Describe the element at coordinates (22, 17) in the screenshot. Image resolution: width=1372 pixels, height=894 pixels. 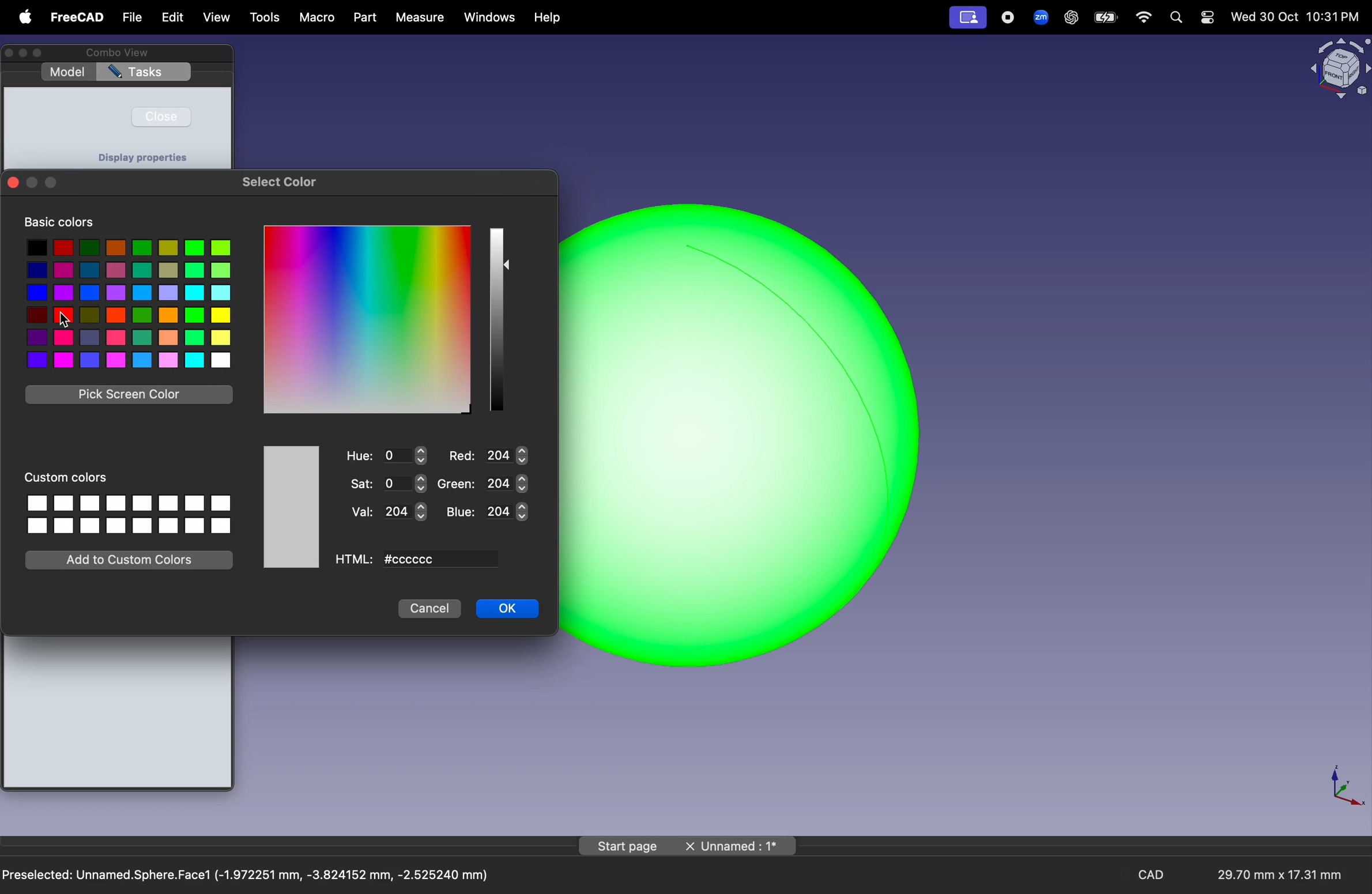
I see `apple menu` at that location.